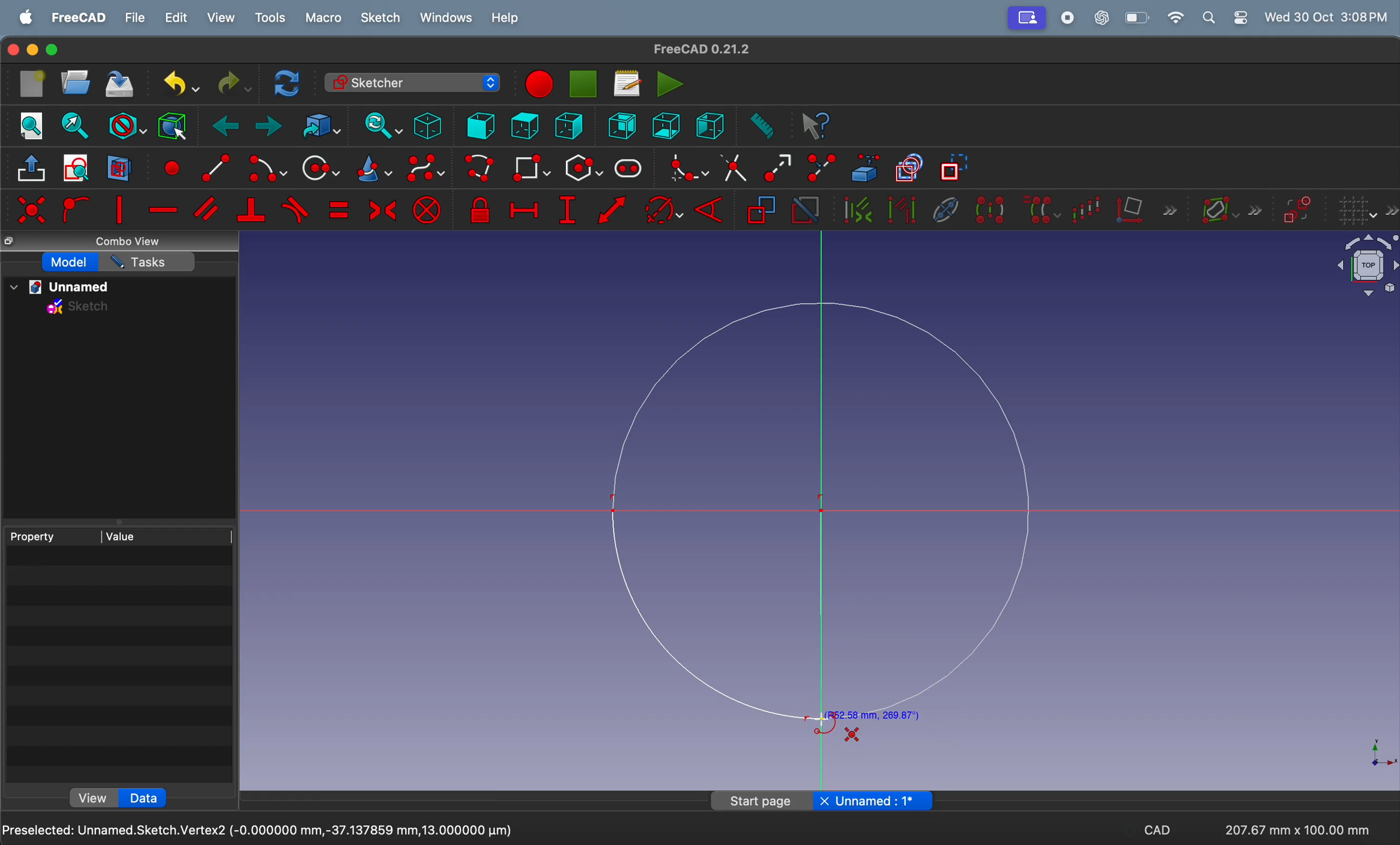 The height and width of the screenshot is (845, 1400). Describe the element at coordinates (269, 128) in the screenshot. I see `forward ` at that location.